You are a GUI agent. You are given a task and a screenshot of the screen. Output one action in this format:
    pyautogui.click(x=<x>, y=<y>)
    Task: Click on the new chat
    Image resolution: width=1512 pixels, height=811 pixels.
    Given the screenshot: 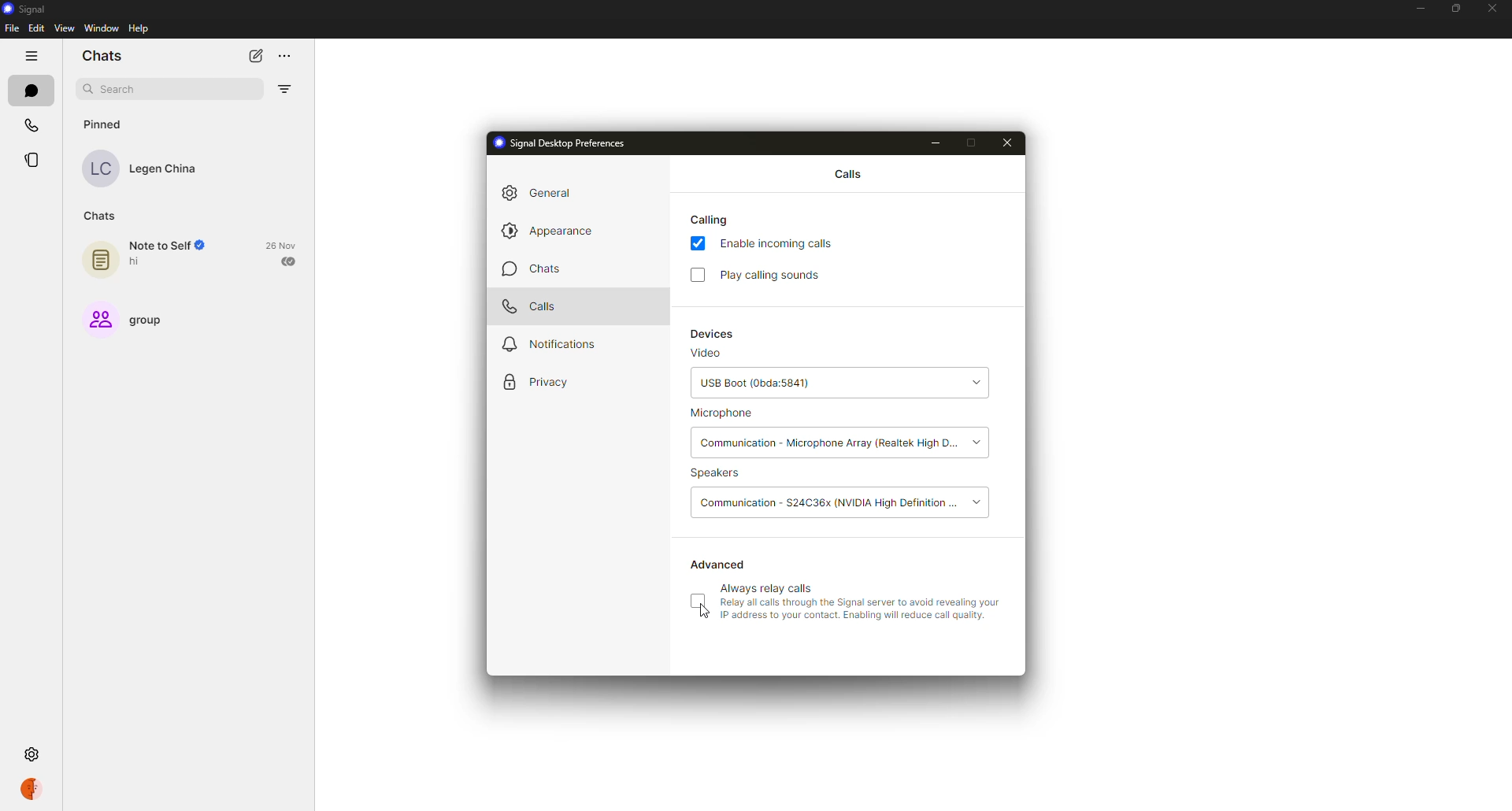 What is the action you would take?
    pyautogui.click(x=251, y=55)
    